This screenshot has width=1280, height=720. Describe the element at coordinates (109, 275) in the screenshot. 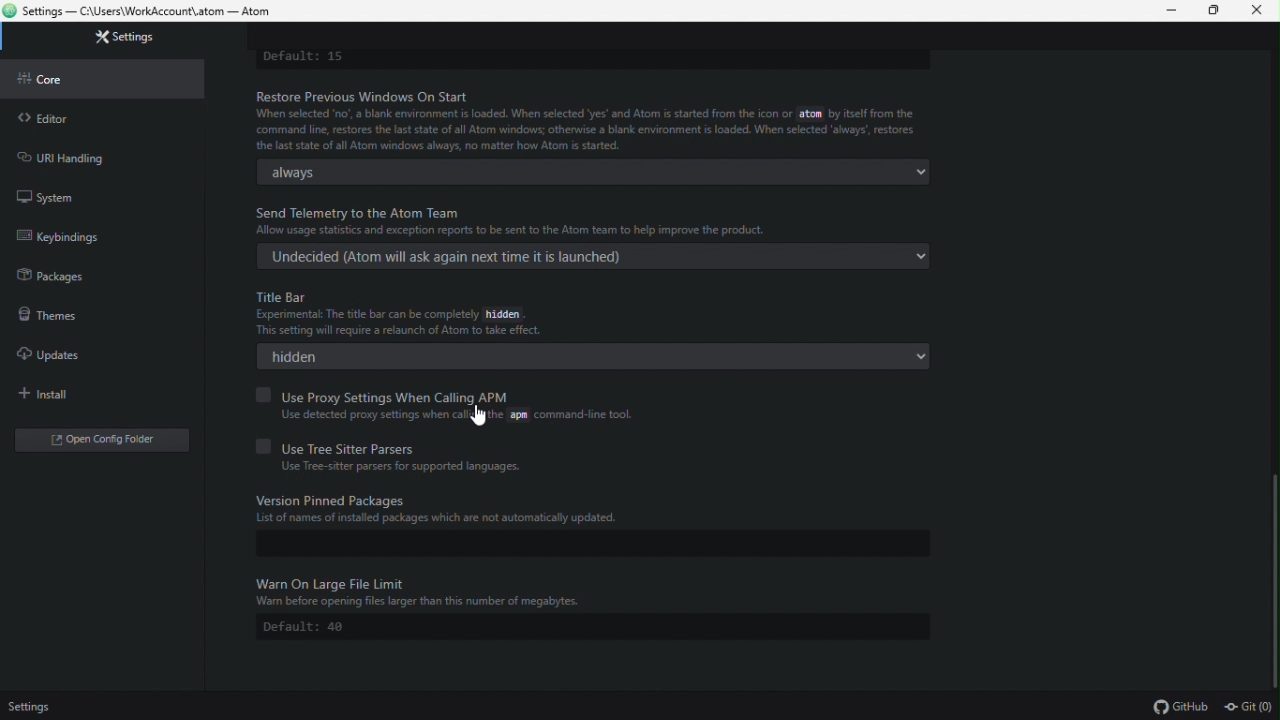

I see `packages` at that location.